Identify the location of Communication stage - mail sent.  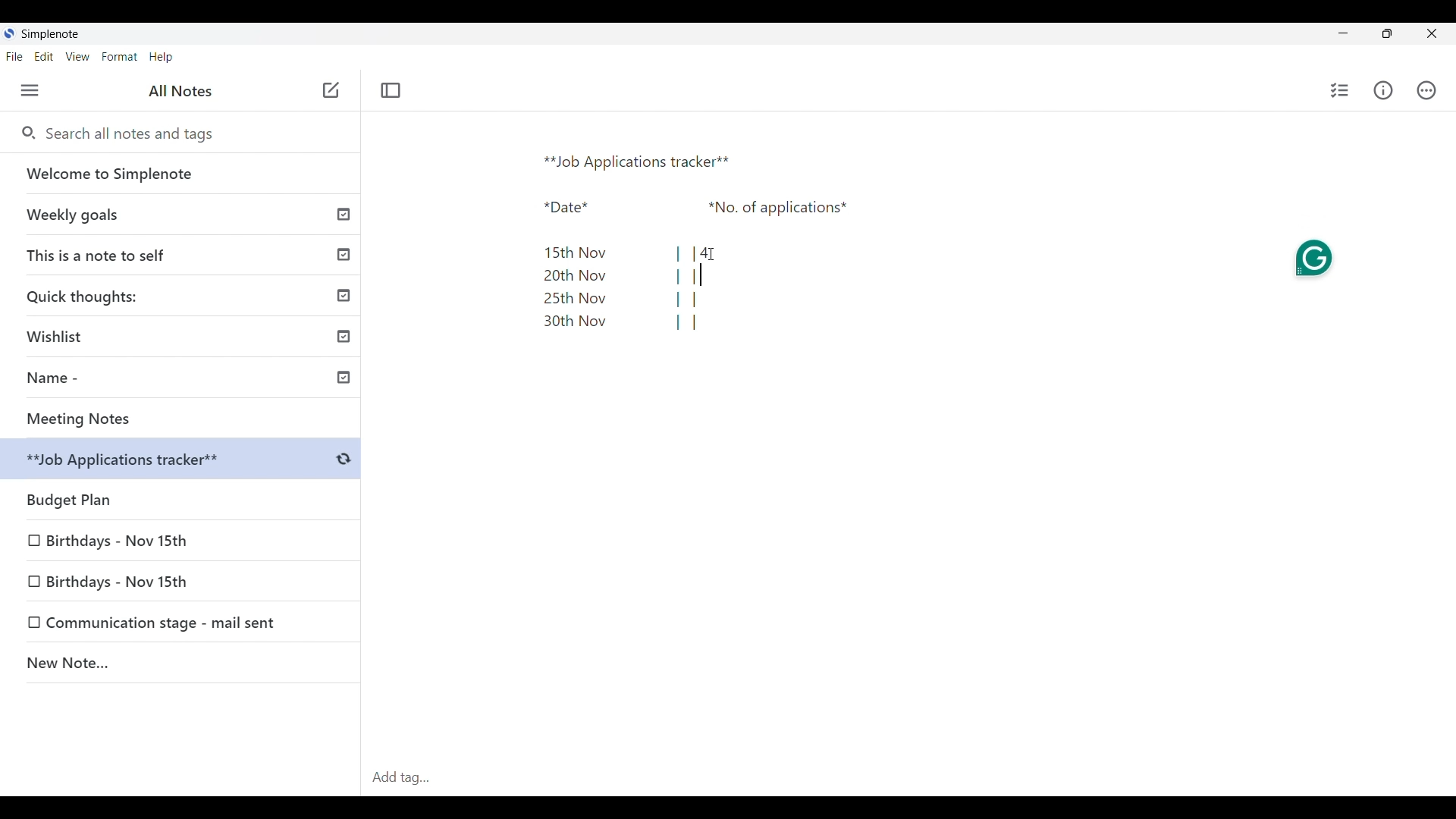
(166, 623).